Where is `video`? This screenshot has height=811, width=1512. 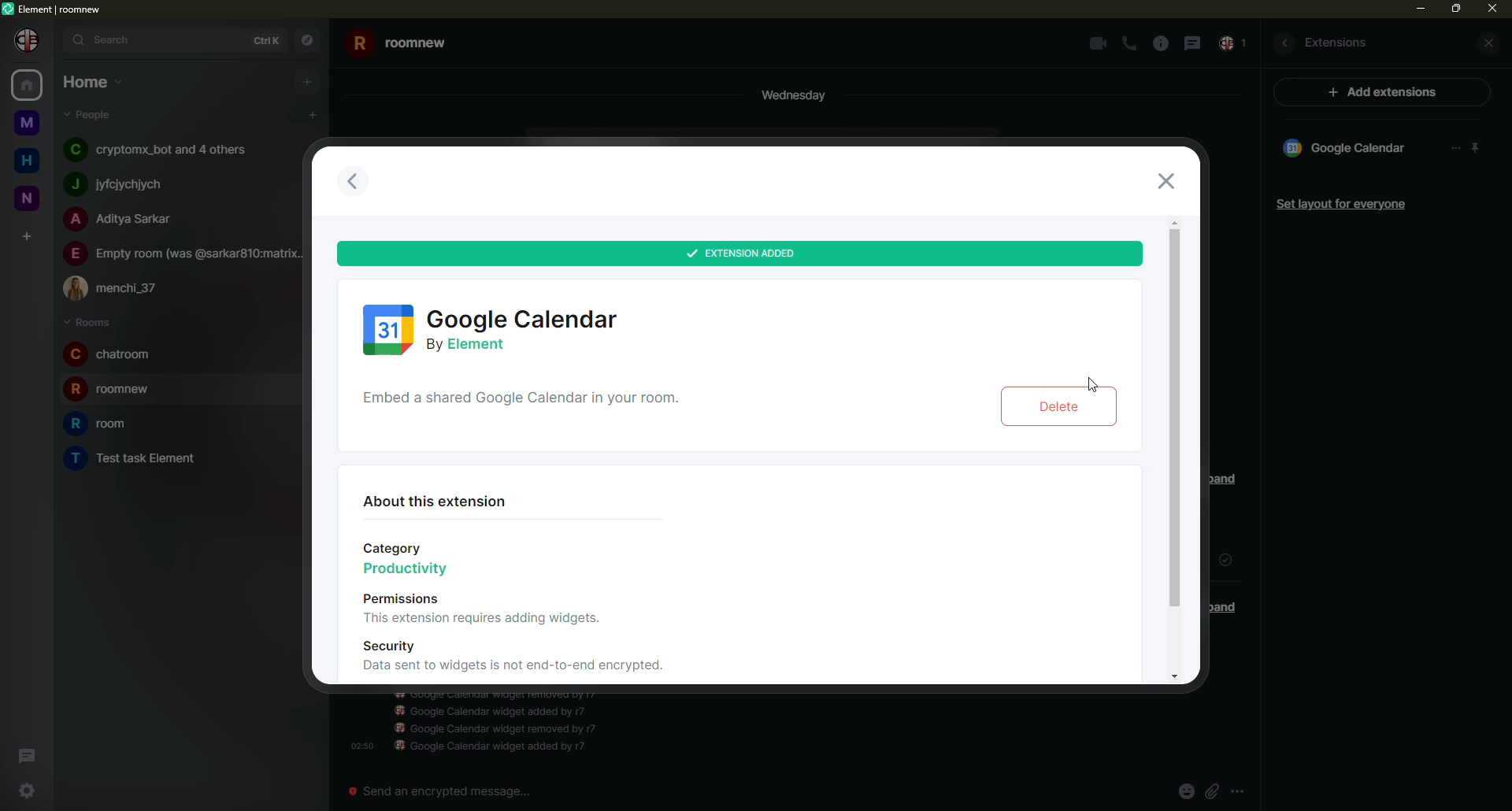 video is located at coordinates (1097, 44).